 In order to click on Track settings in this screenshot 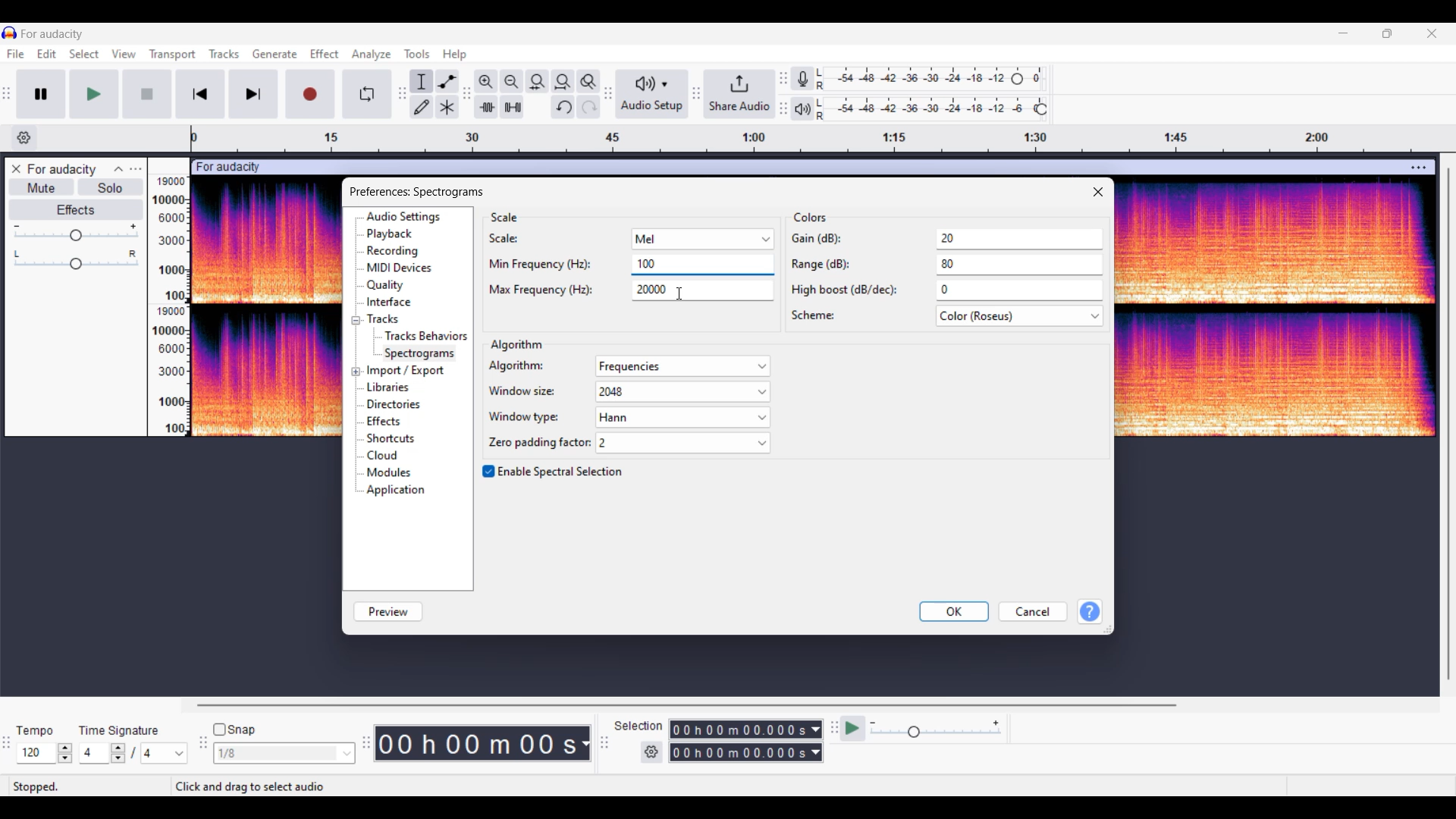, I will do `click(1418, 169)`.